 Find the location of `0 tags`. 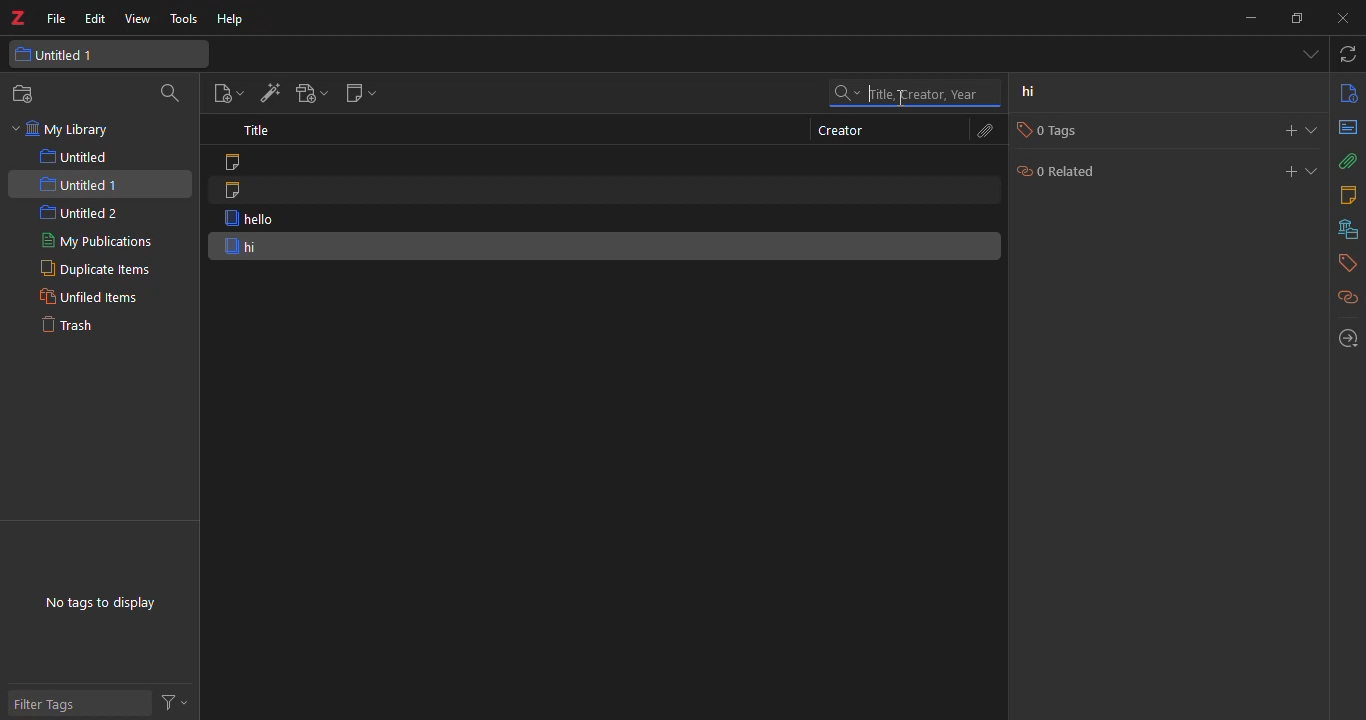

0 tags is located at coordinates (1043, 130).